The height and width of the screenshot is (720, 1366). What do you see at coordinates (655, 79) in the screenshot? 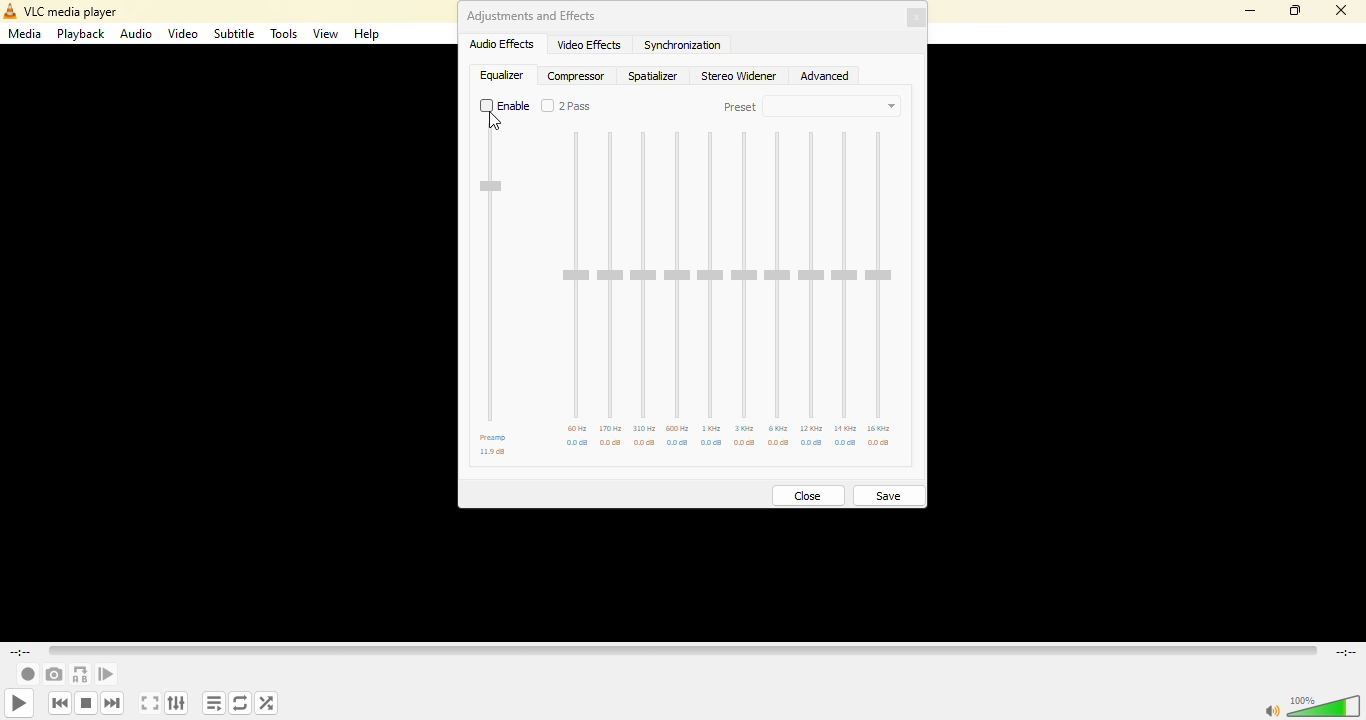
I see `spatializer` at bounding box center [655, 79].